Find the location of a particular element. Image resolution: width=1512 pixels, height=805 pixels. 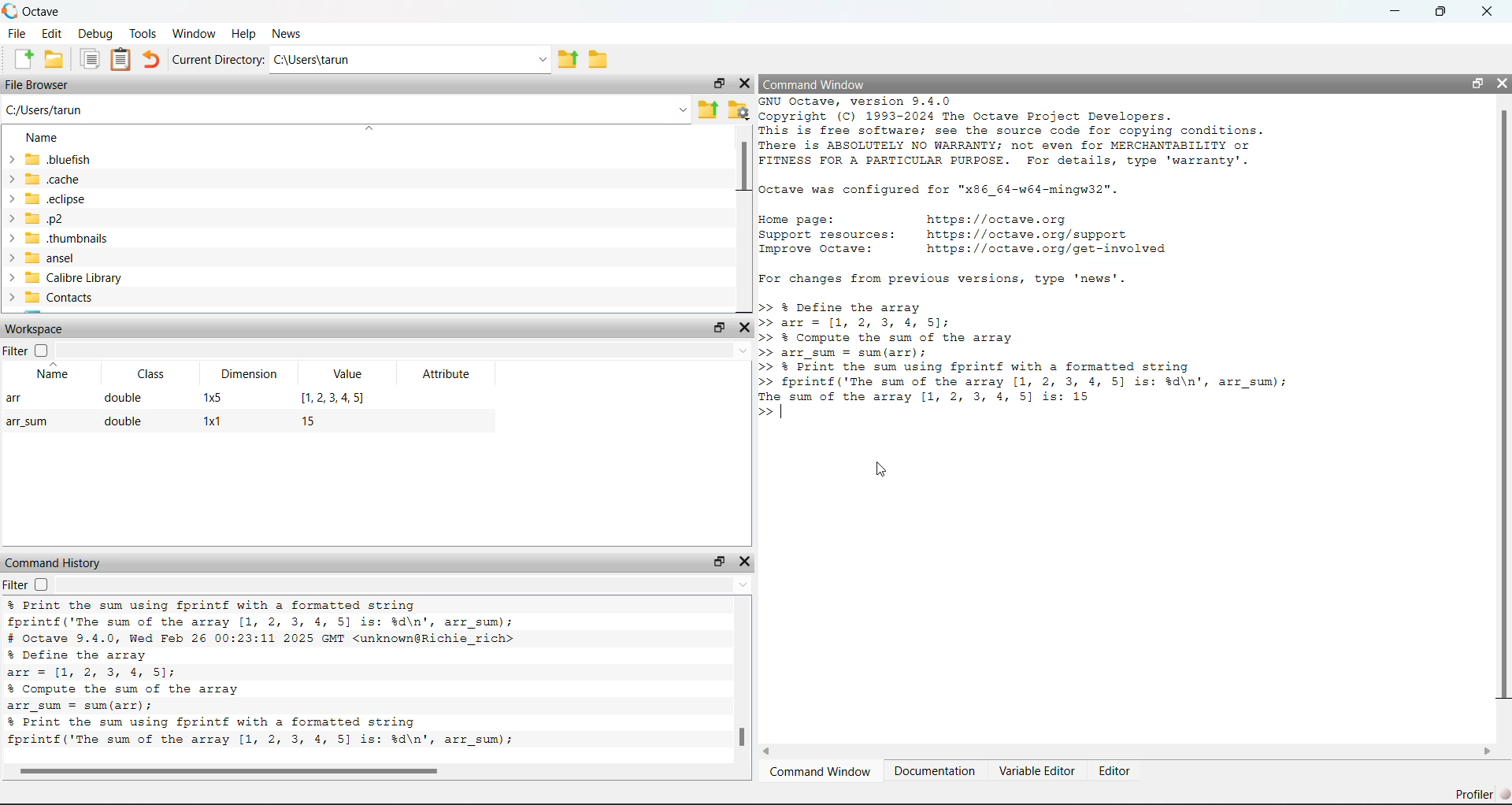

eclipse is located at coordinates (50, 200).